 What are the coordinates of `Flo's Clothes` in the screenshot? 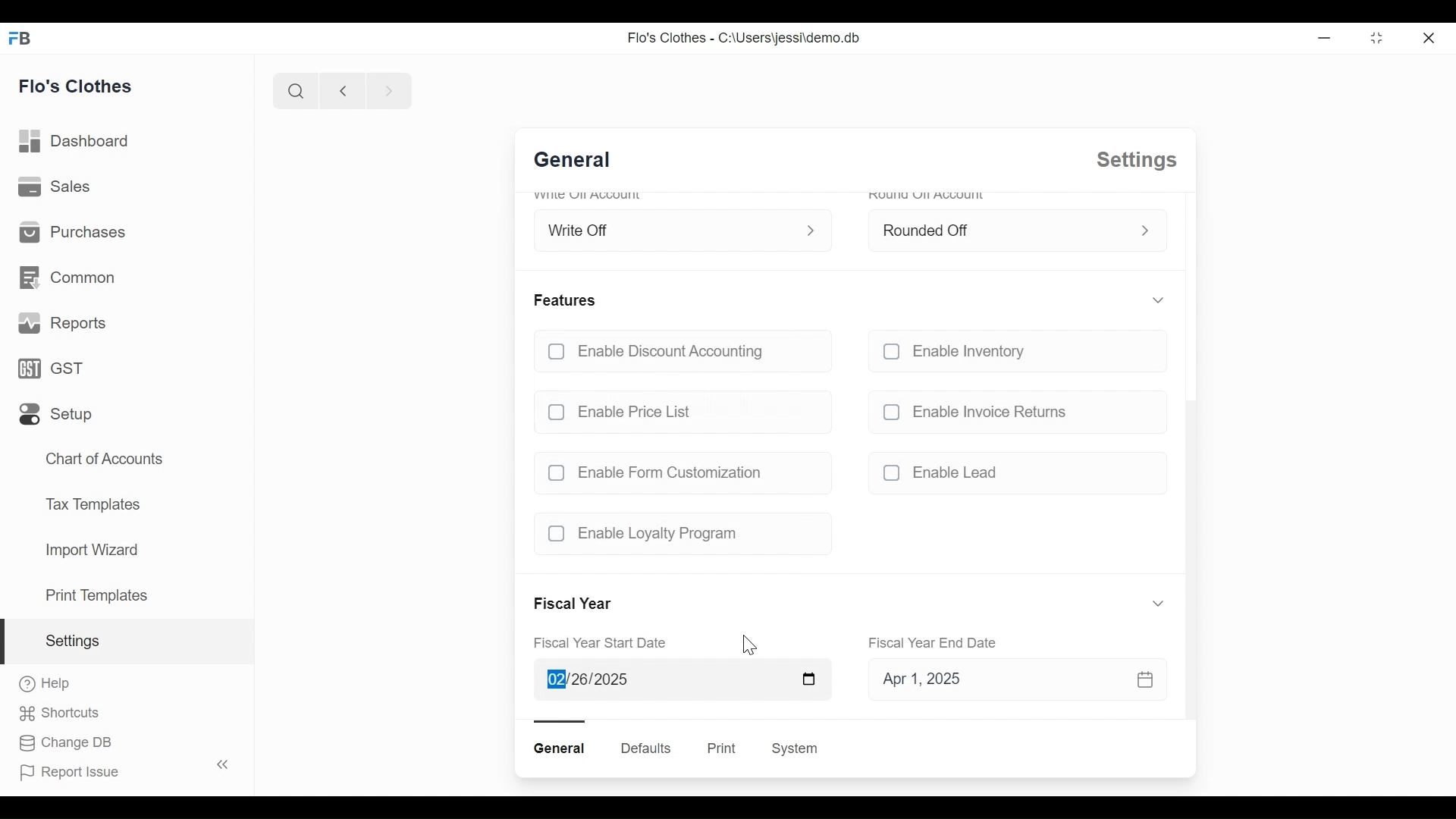 It's located at (76, 84).